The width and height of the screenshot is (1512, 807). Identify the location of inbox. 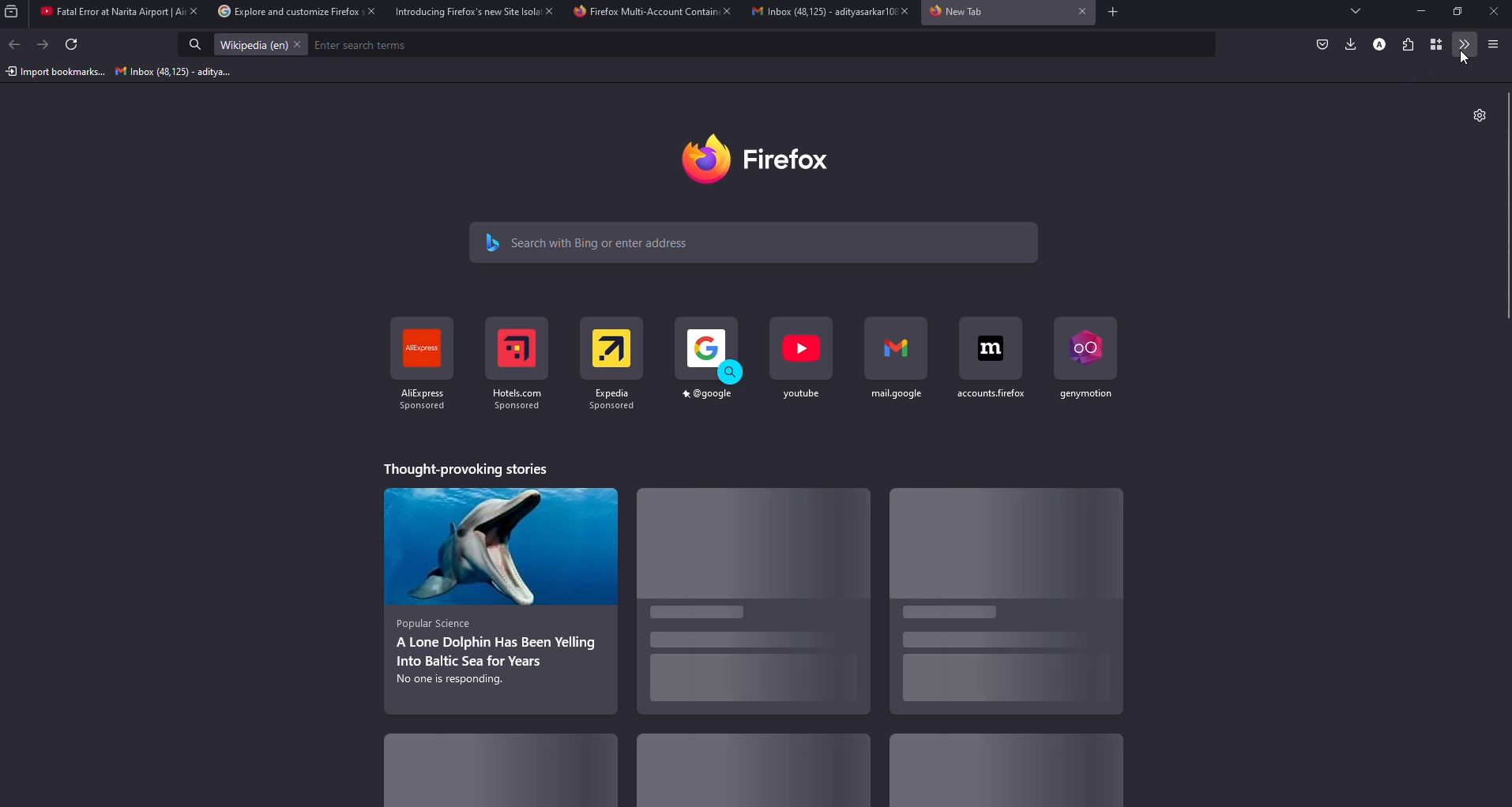
(175, 73).